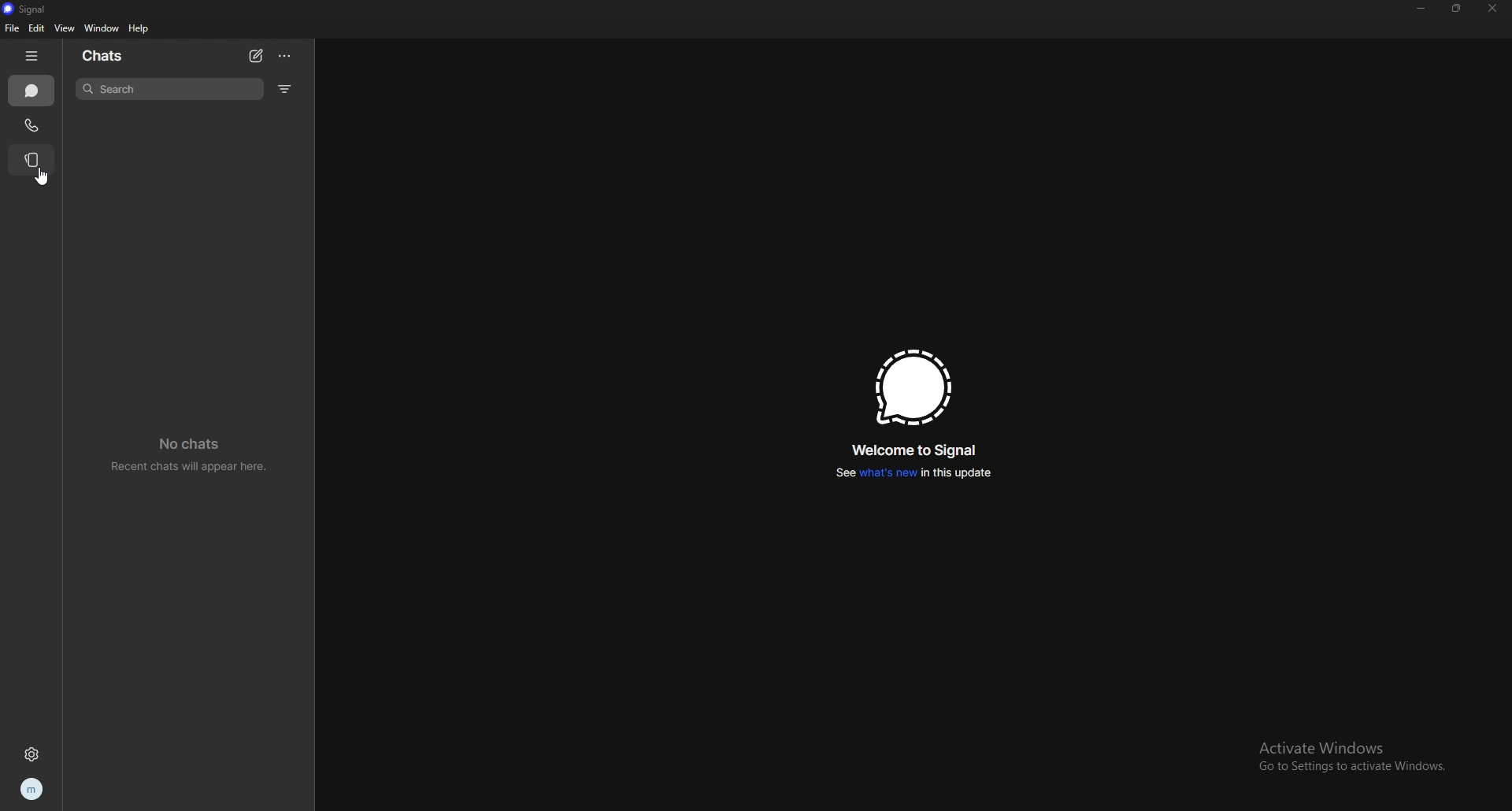  What do you see at coordinates (31, 56) in the screenshot?
I see `hide tab` at bounding box center [31, 56].